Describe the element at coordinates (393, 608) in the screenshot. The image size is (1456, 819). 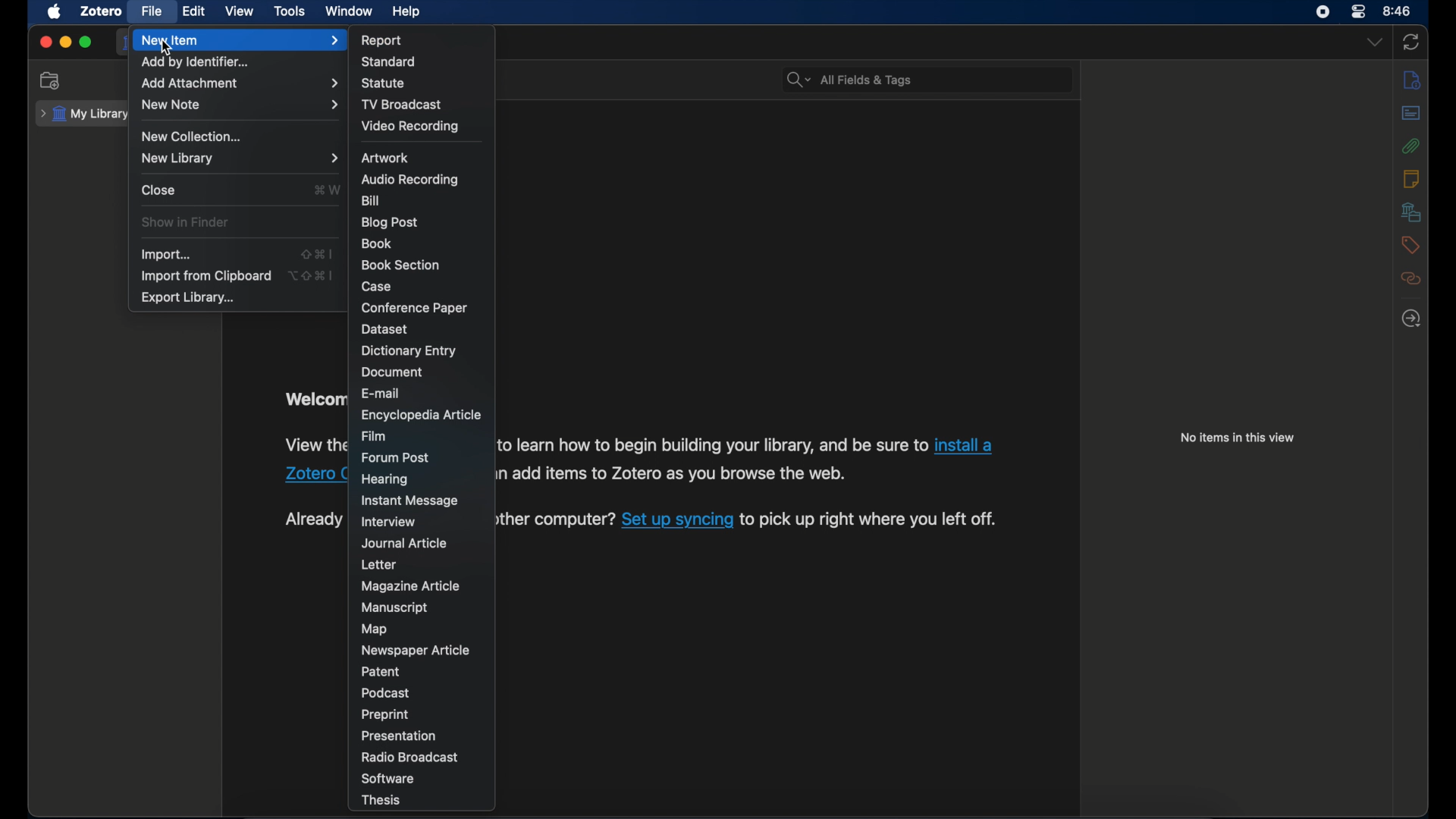
I see `manuscript` at that location.